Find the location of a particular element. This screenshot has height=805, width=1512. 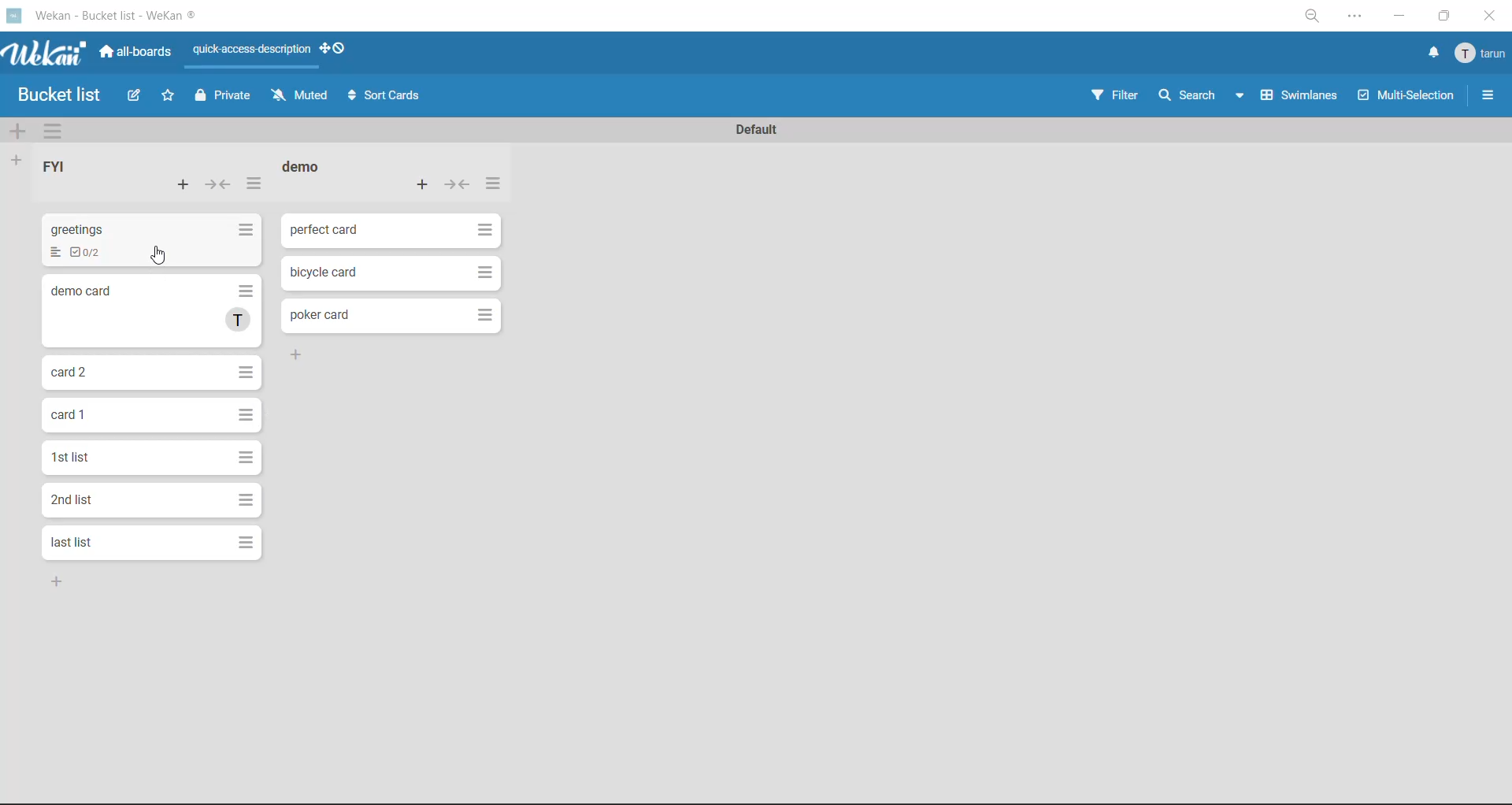

muted is located at coordinates (300, 97).